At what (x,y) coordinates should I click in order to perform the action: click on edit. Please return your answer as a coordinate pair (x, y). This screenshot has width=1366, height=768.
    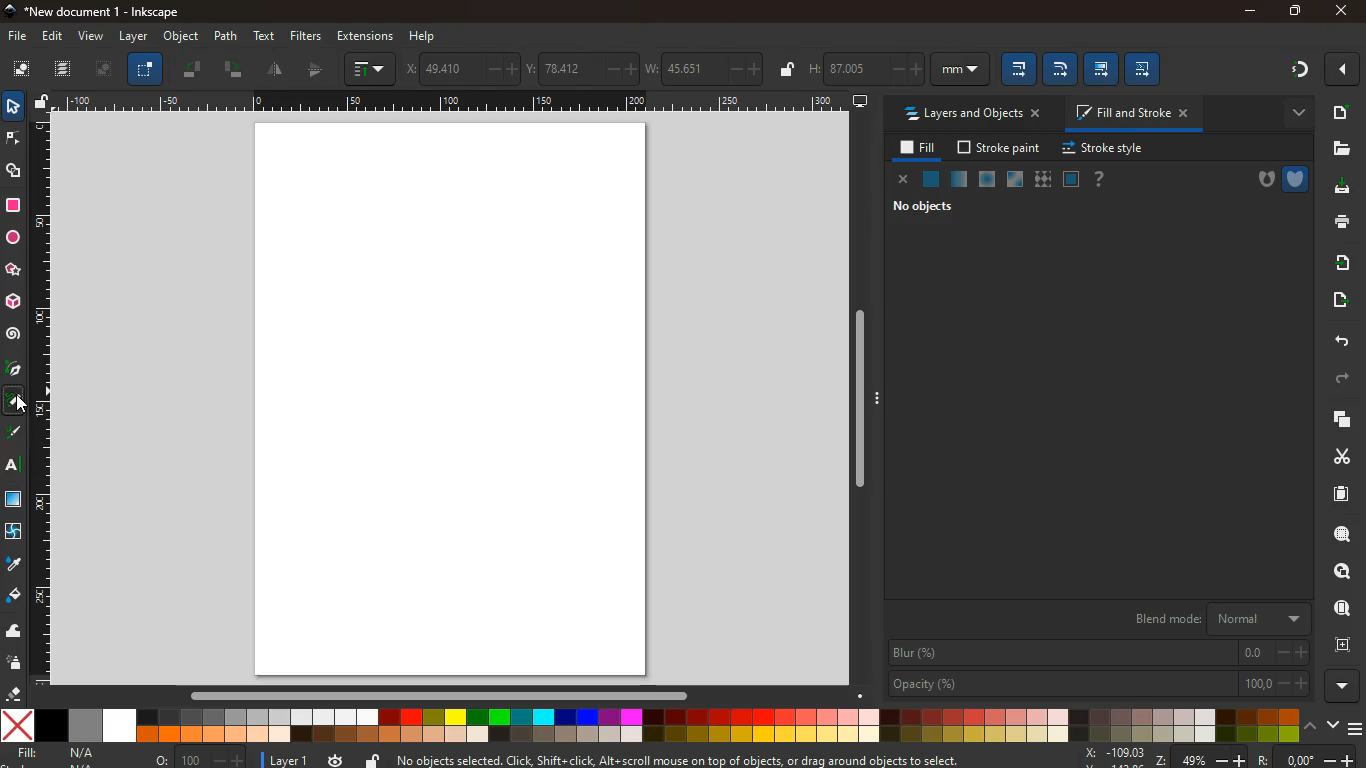
    Looking at the image, I should click on (1101, 68).